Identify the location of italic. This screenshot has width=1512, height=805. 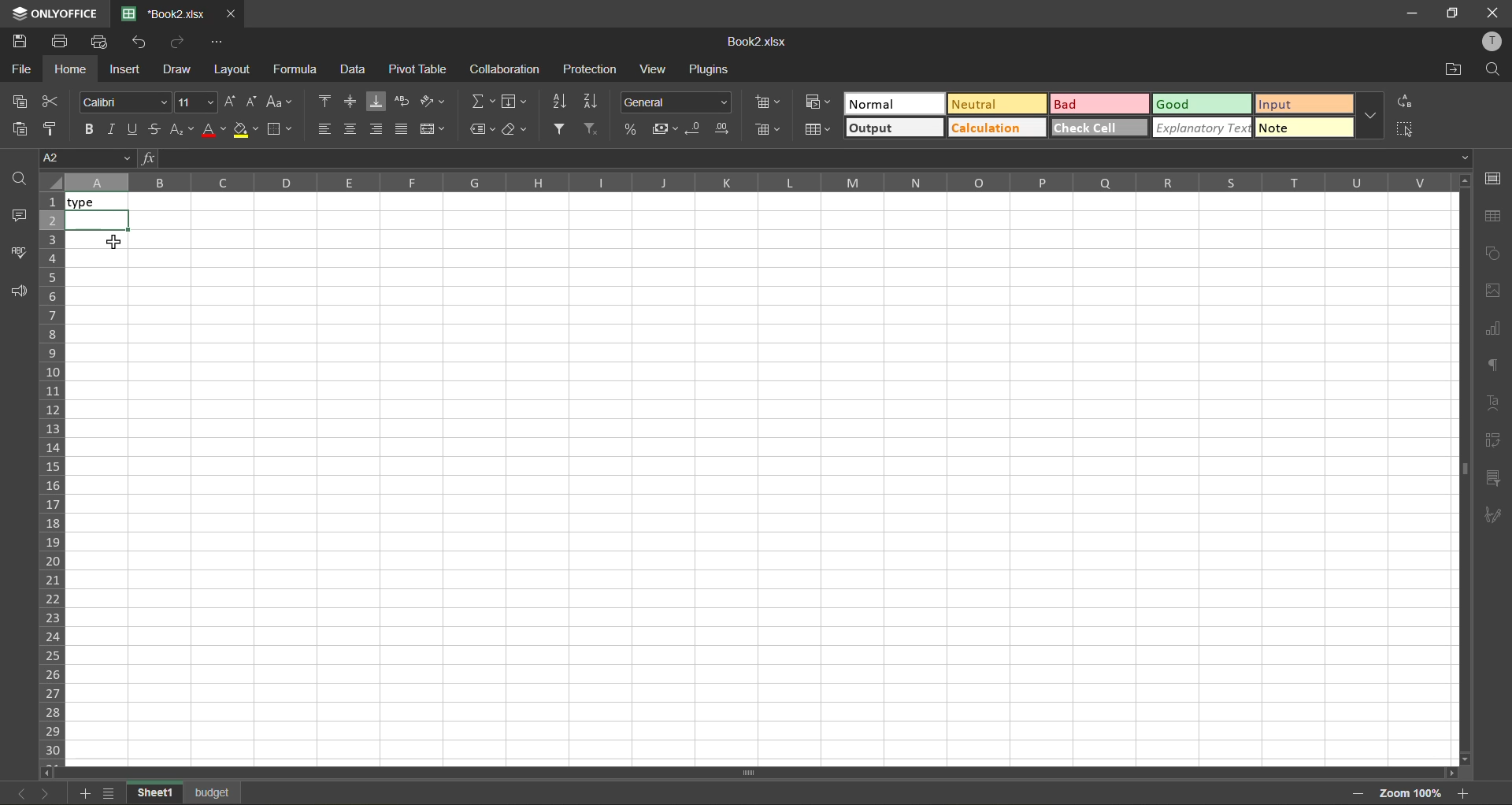
(113, 126).